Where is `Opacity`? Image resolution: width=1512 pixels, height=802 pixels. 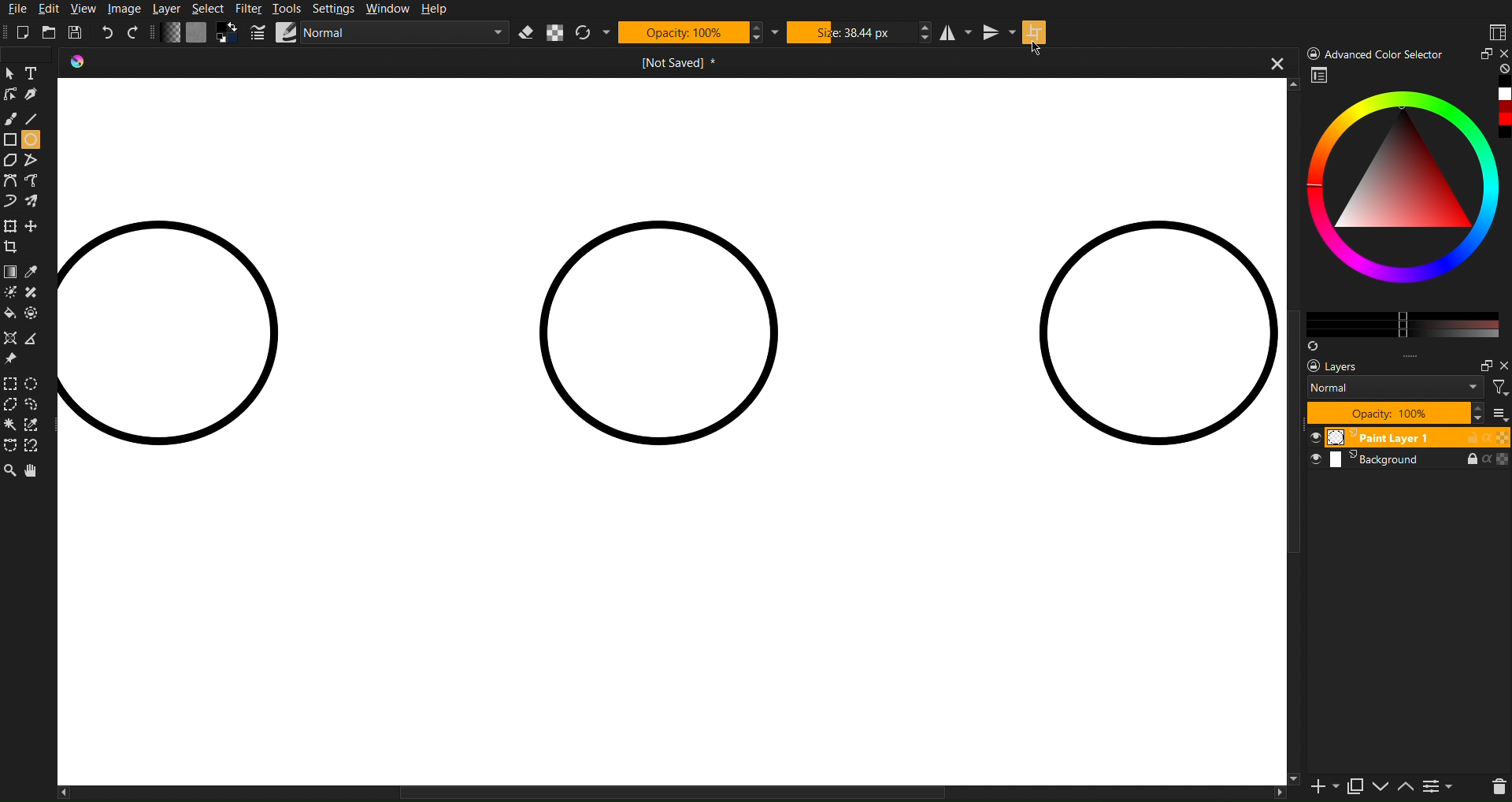 Opacity is located at coordinates (683, 32).